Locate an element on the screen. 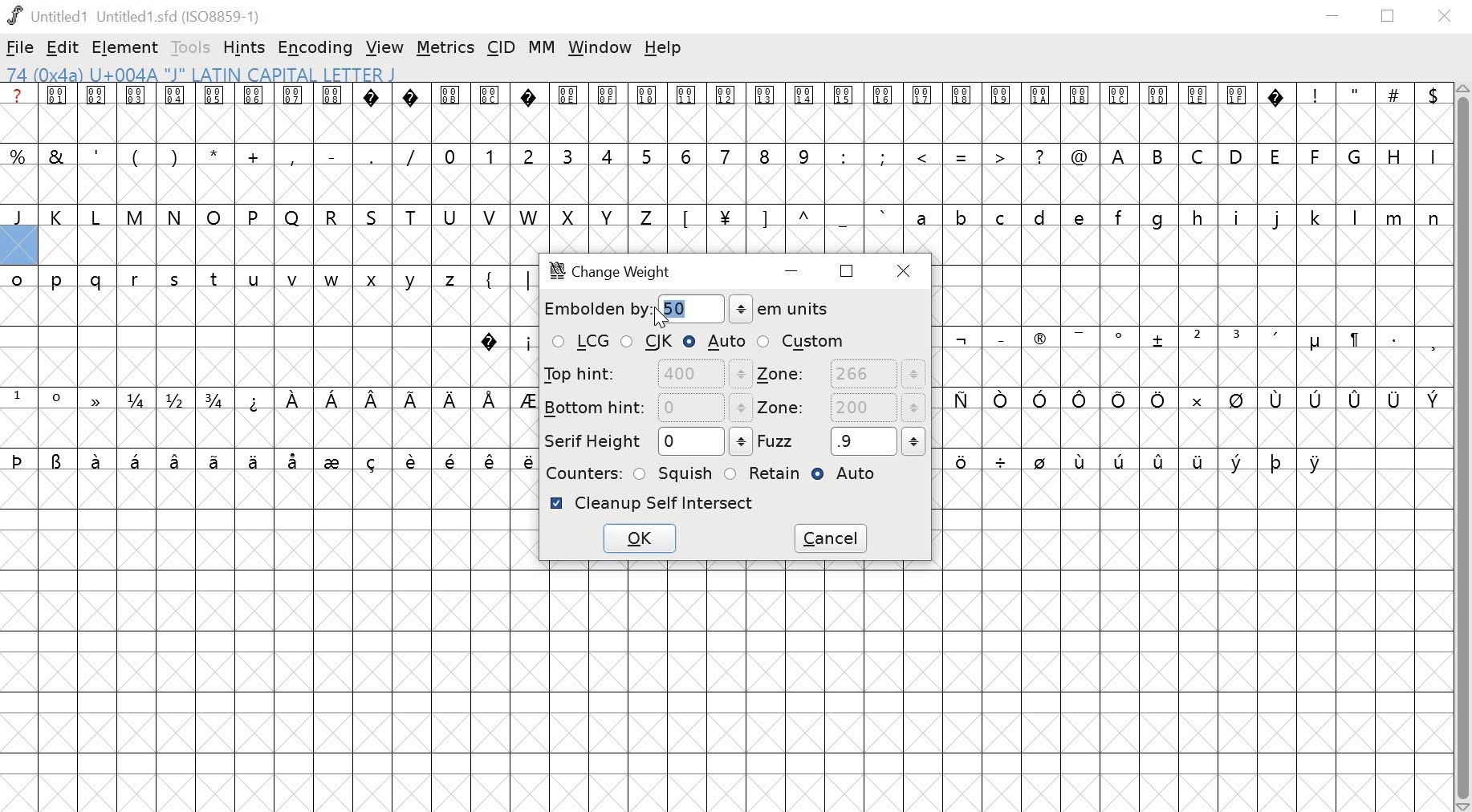 The image size is (1472, 812). MM is located at coordinates (543, 47).